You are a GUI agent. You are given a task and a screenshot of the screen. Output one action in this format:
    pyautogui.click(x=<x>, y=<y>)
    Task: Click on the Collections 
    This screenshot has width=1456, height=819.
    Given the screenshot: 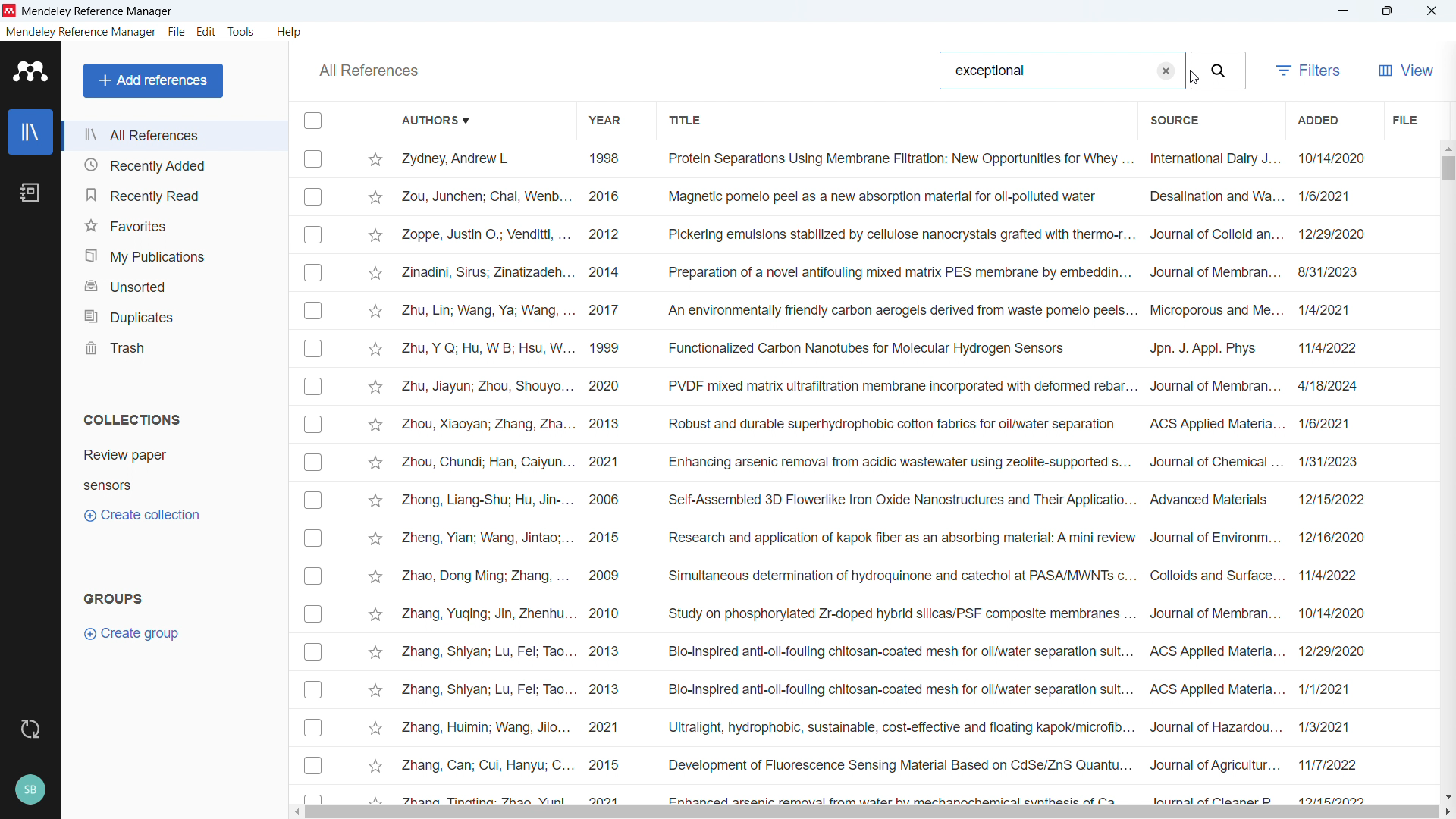 What is the action you would take?
    pyautogui.click(x=133, y=418)
    